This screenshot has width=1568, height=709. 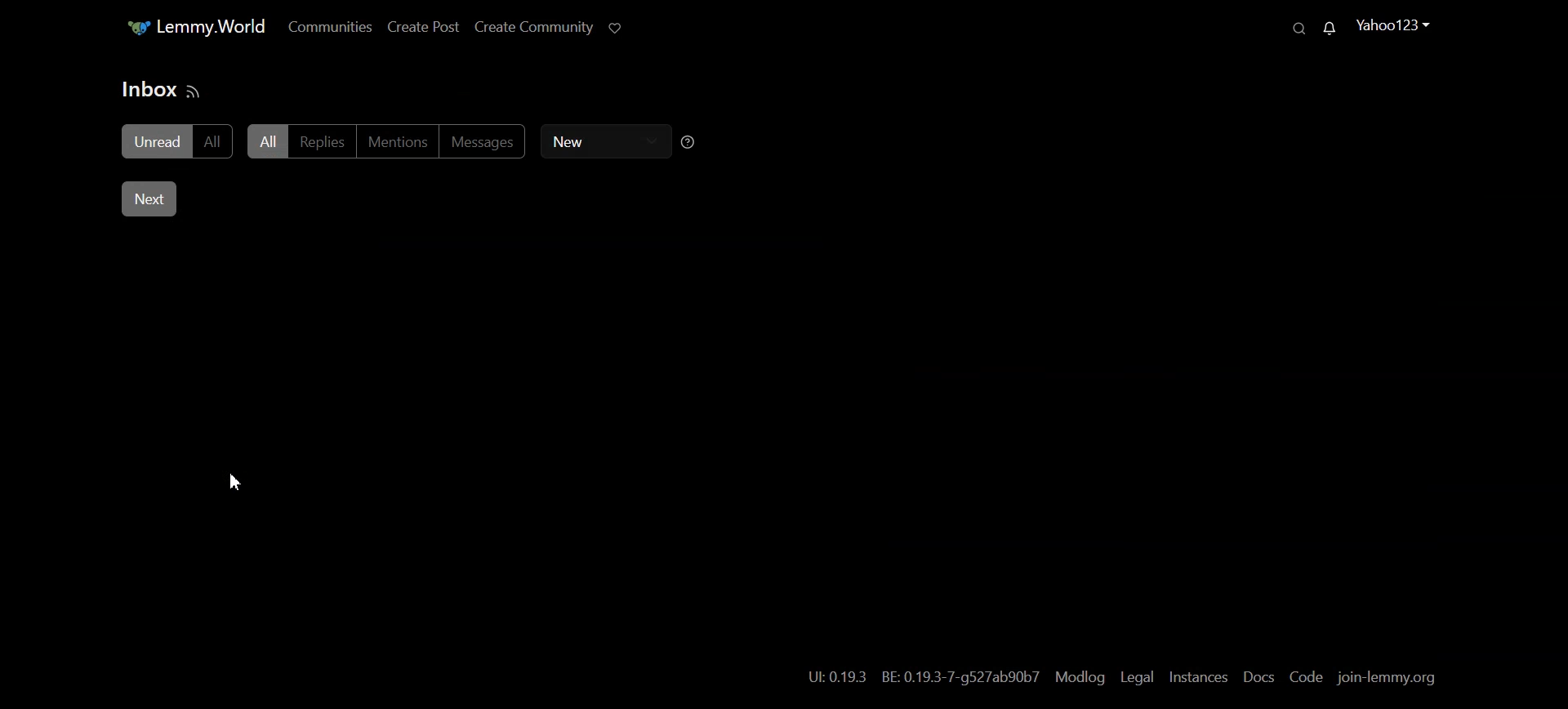 I want to click on Sorting Help, so click(x=690, y=141).